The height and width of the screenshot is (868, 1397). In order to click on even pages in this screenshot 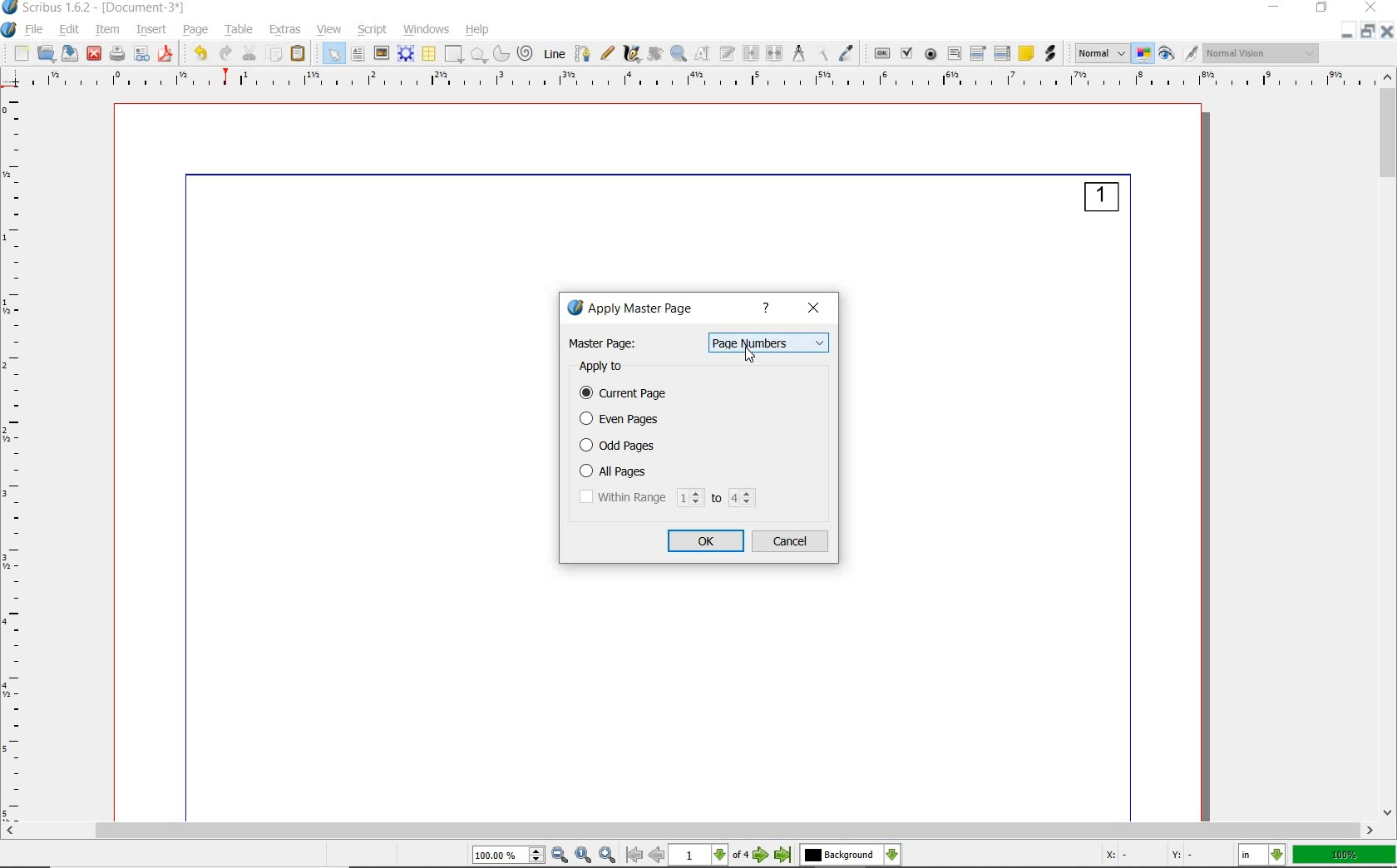, I will do `click(624, 420)`.